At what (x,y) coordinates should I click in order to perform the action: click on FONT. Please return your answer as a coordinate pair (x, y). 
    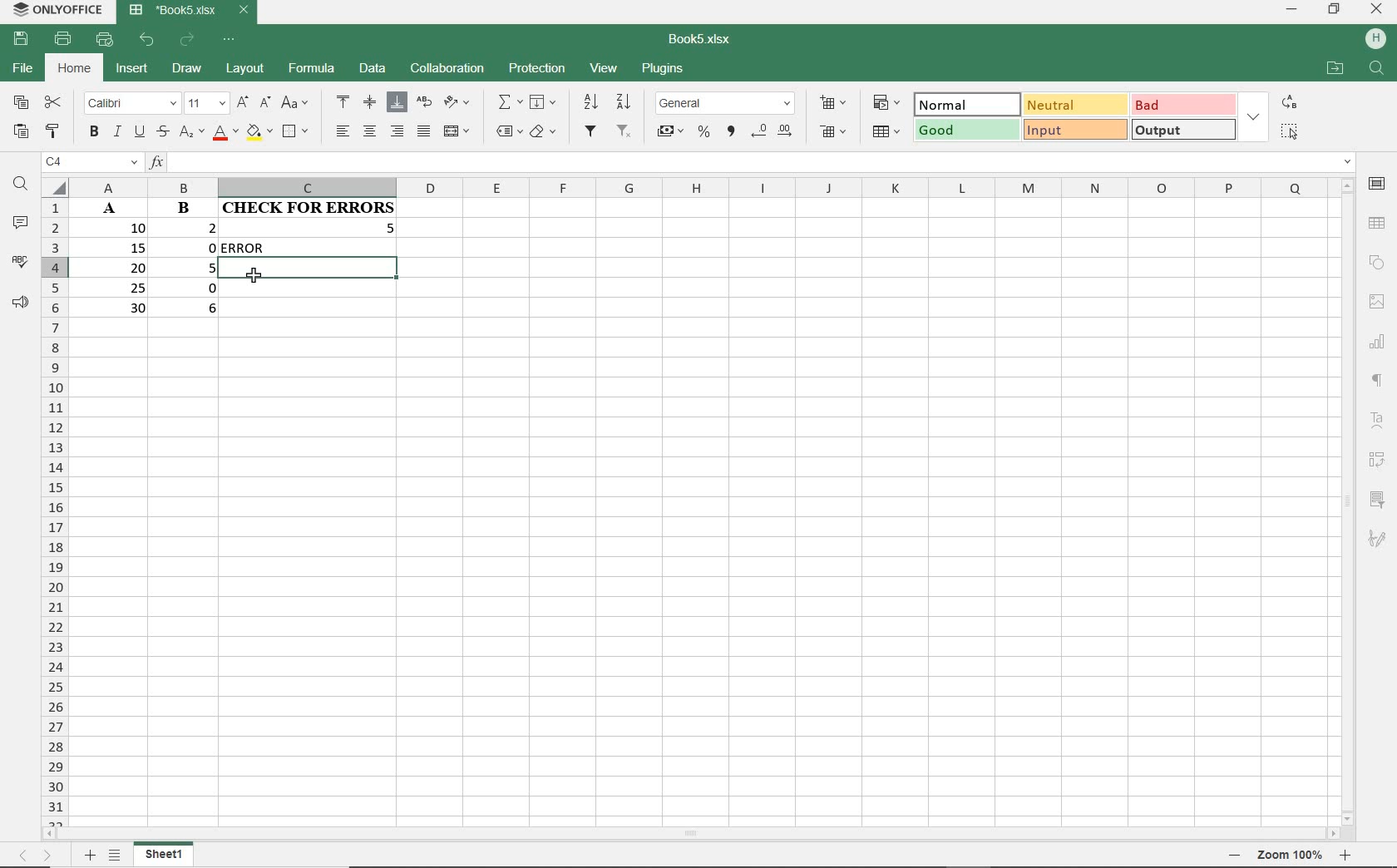
    Looking at the image, I should click on (128, 105).